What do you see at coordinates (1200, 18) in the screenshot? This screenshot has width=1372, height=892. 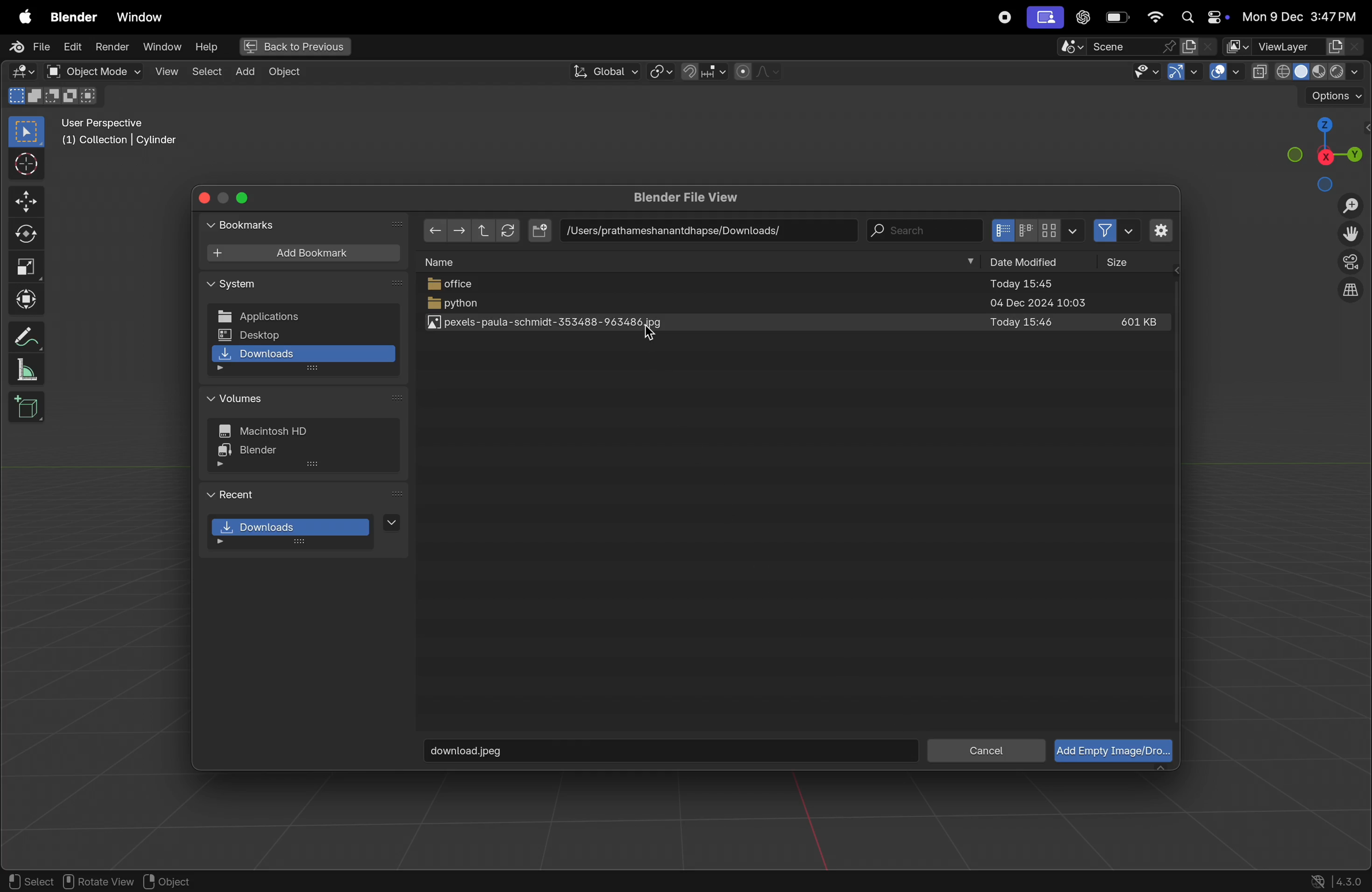 I see `apple widgets` at bounding box center [1200, 18].